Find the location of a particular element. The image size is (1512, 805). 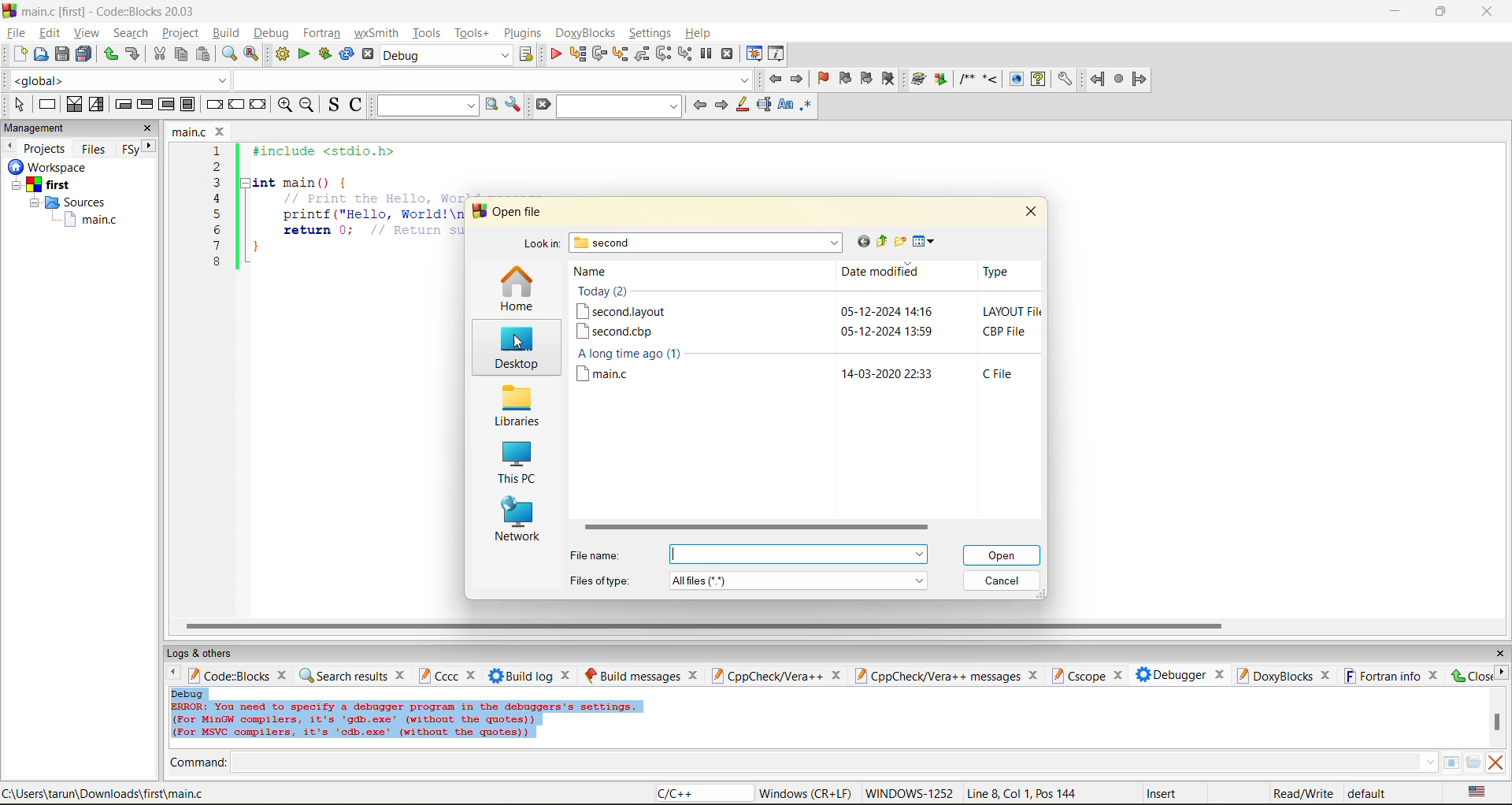

abort is located at coordinates (368, 54).